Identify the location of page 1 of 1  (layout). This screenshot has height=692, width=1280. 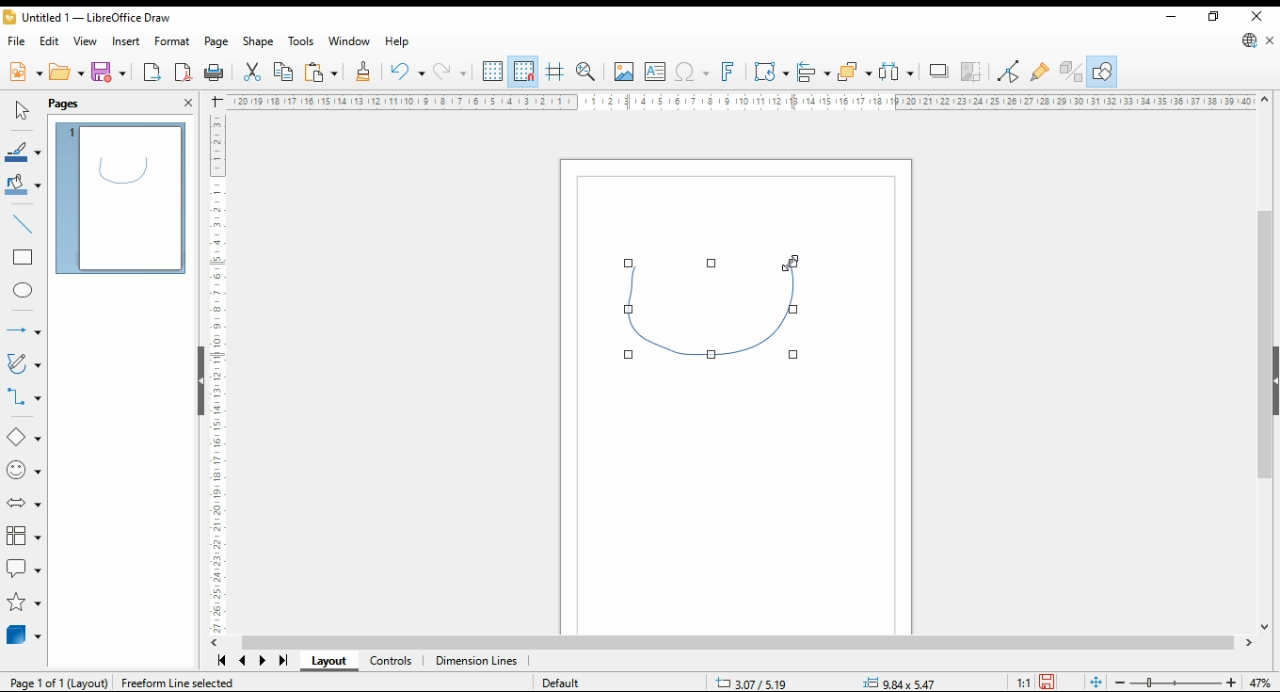
(60, 682).